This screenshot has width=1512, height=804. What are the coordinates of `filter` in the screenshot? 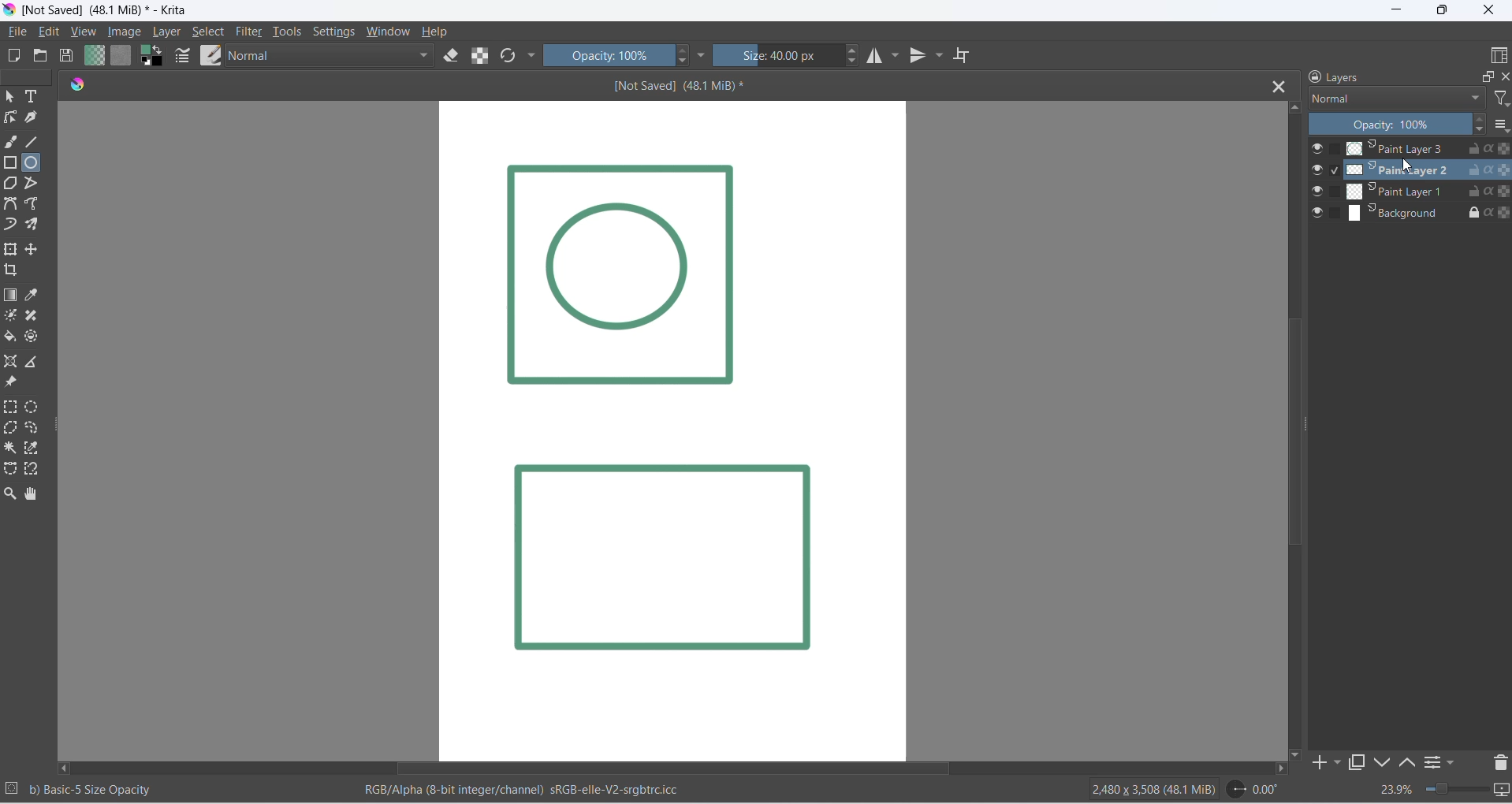 It's located at (246, 33).